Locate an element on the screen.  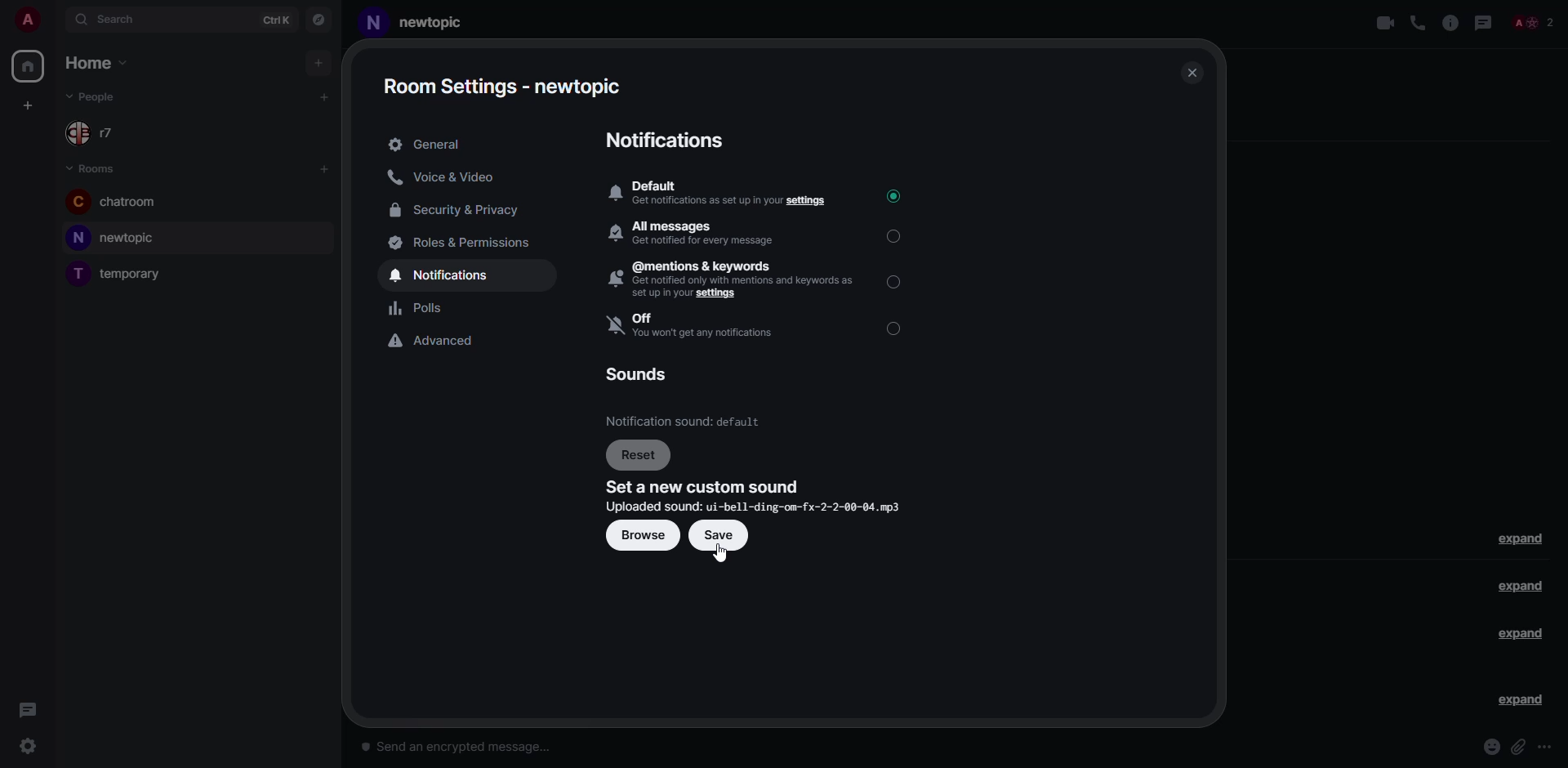
more is located at coordinates (1547, 748).